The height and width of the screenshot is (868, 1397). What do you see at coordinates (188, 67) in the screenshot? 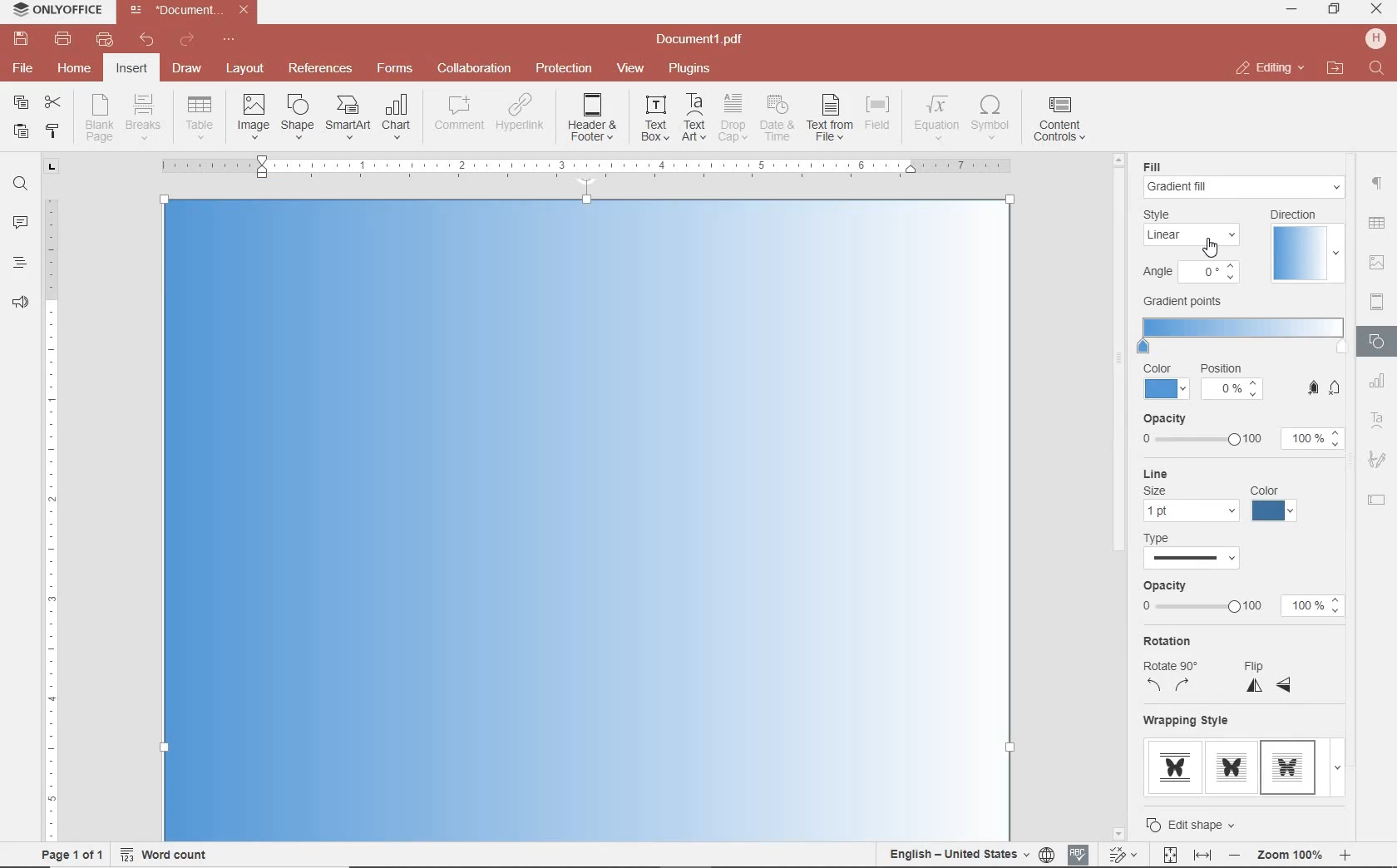
I see `draw` at bounding box center [188, 67].